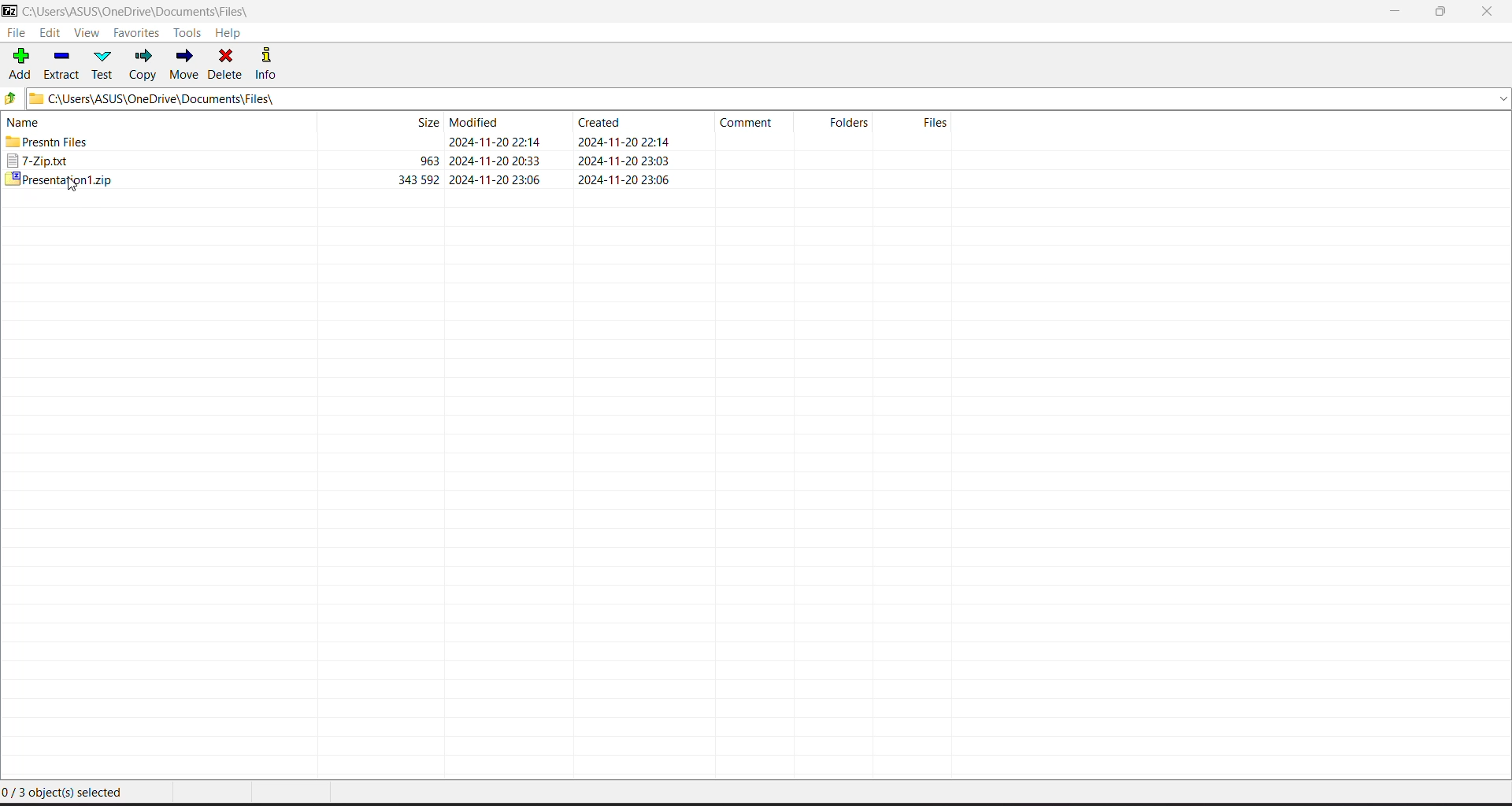 Image resolution: width=1512 pixels, height=806 pixels. I want to click on Current Selection, so click(69, 794).